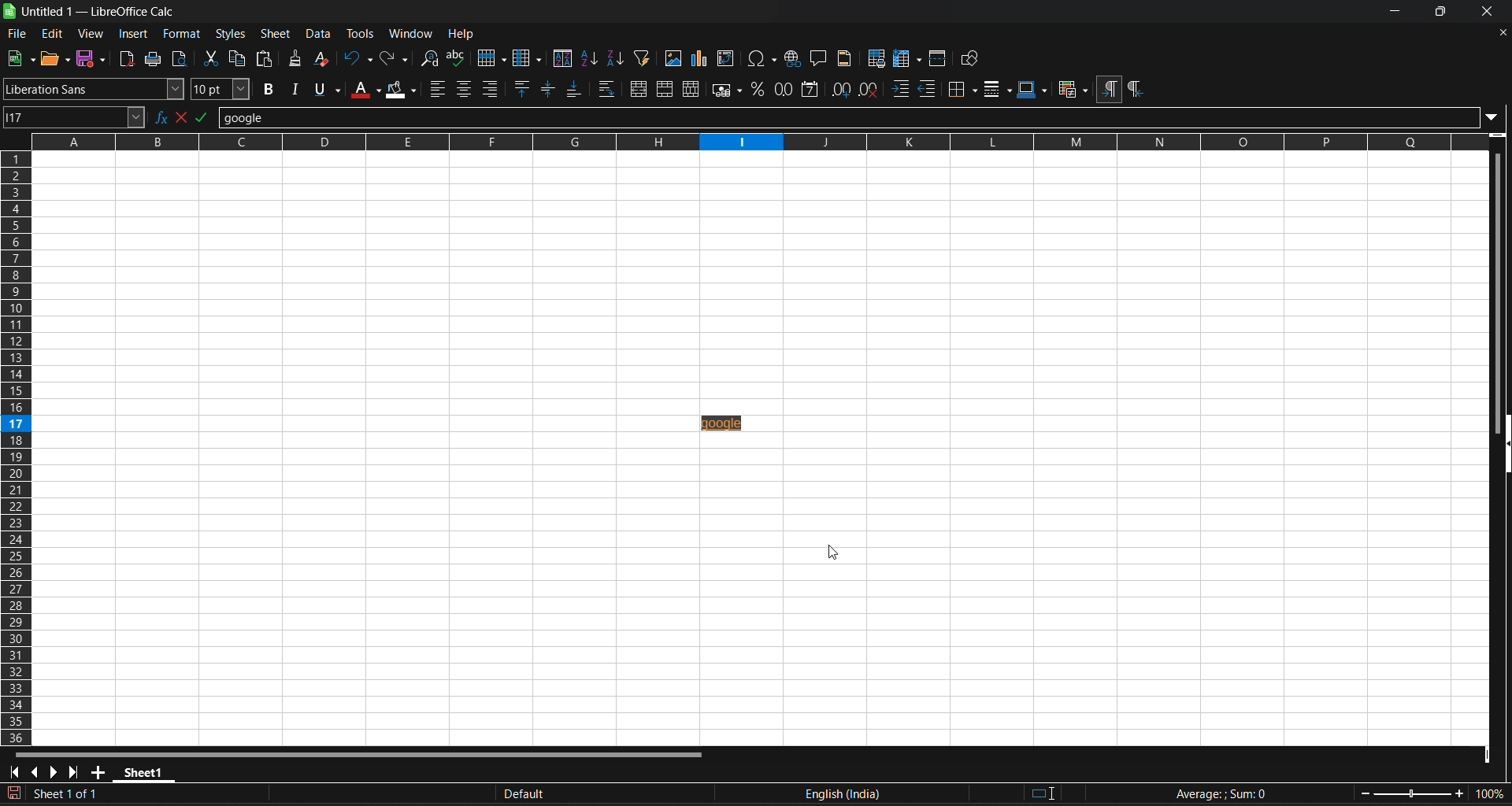  What do you see at coordinates (1439, 12) in the screenshot?
I see `maximize` at bounding box center [1439, 12].